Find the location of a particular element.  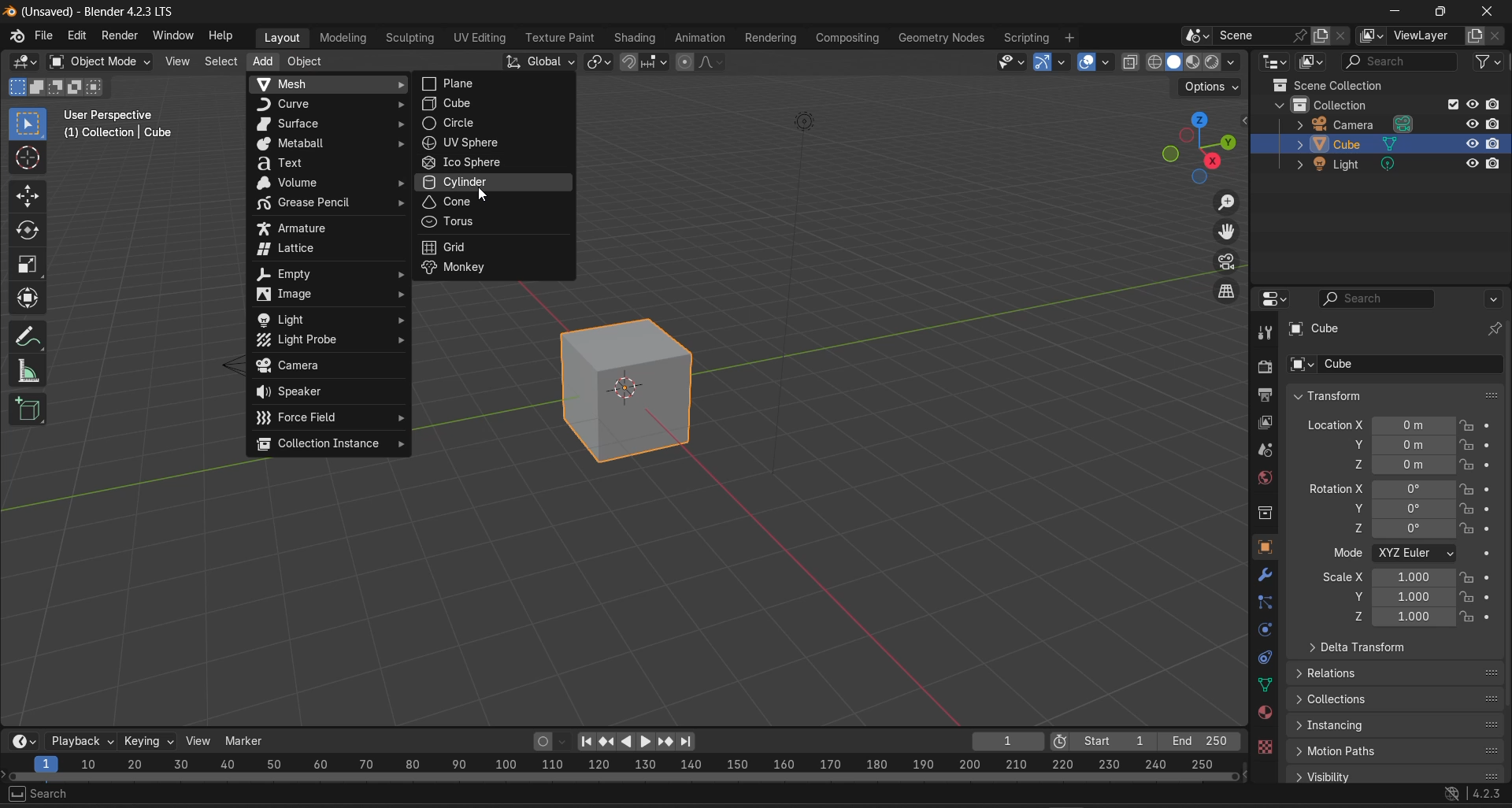

editor type is located at coordinates (27, 740).